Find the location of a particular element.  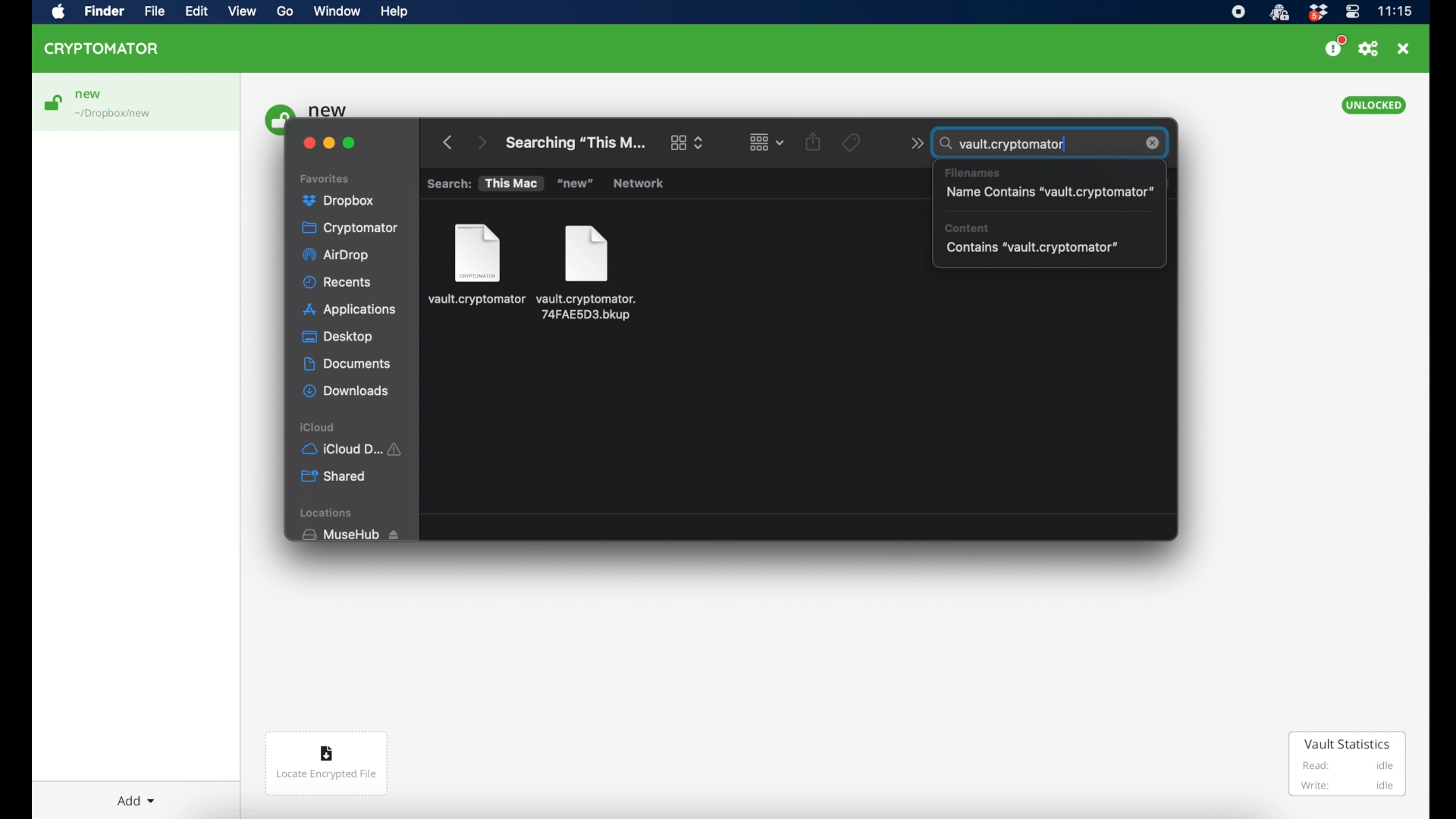

unlocked is located at coordinates (1374, 105).